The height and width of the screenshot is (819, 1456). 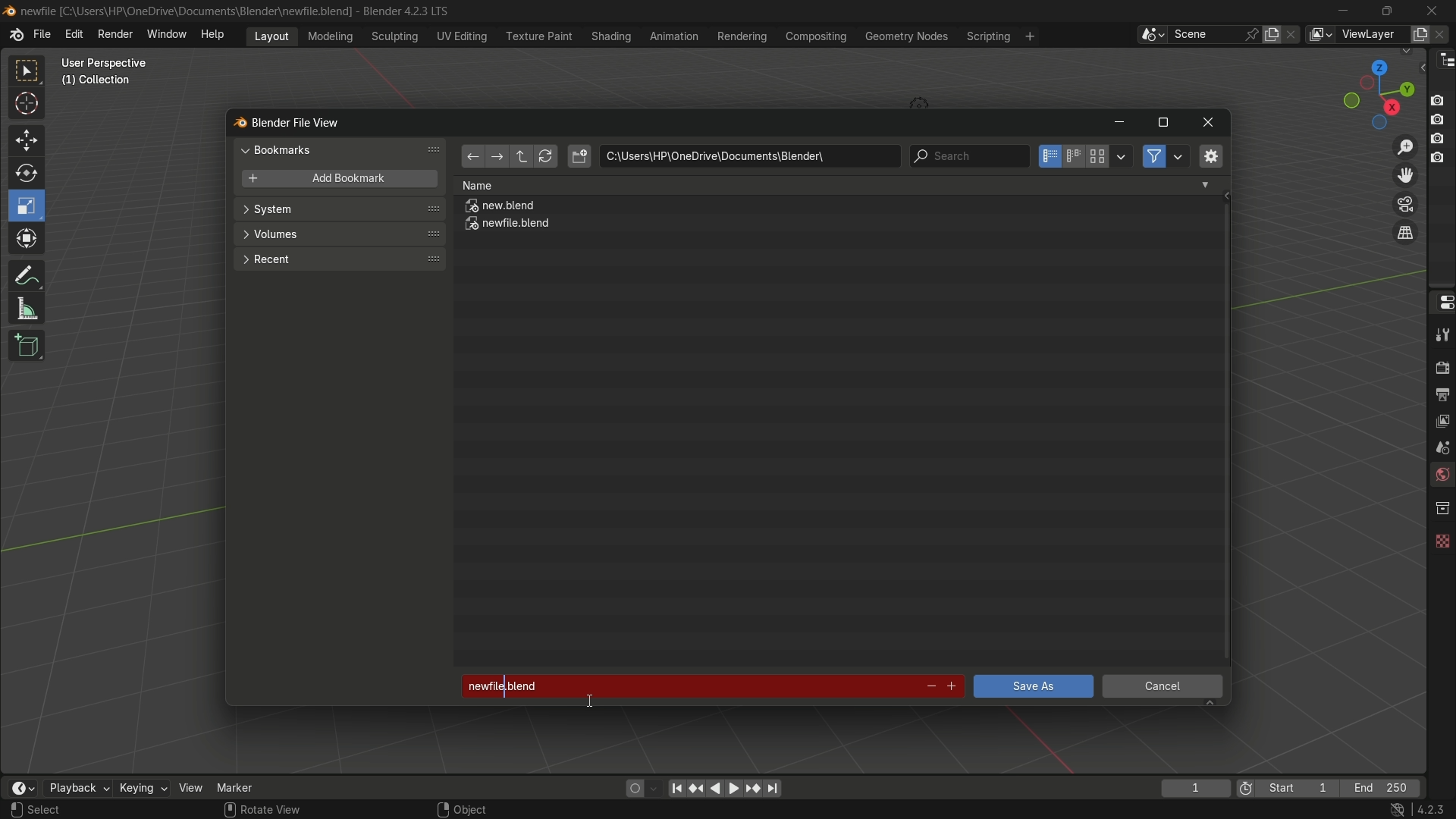 I want to click on save as, so click(x=1032, y=686).